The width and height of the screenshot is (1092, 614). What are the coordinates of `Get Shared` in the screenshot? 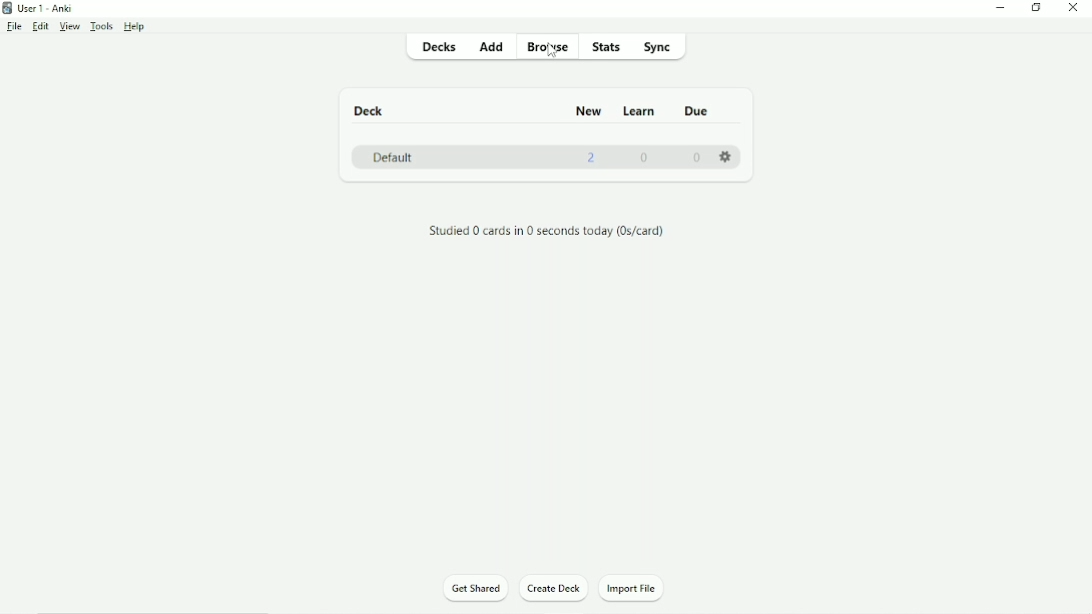 It's located at (474, 588).